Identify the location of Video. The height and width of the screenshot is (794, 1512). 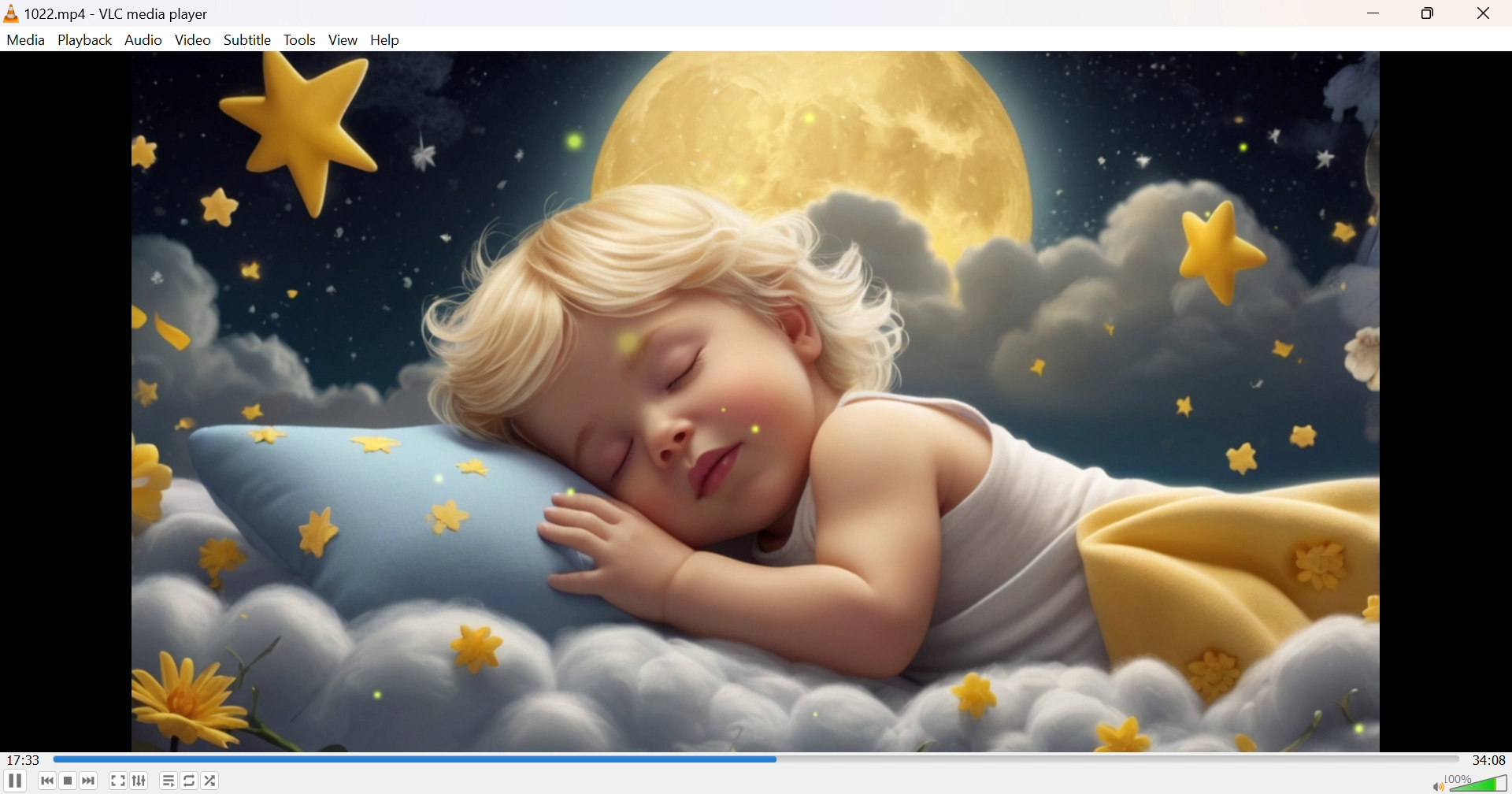
(194, 40).